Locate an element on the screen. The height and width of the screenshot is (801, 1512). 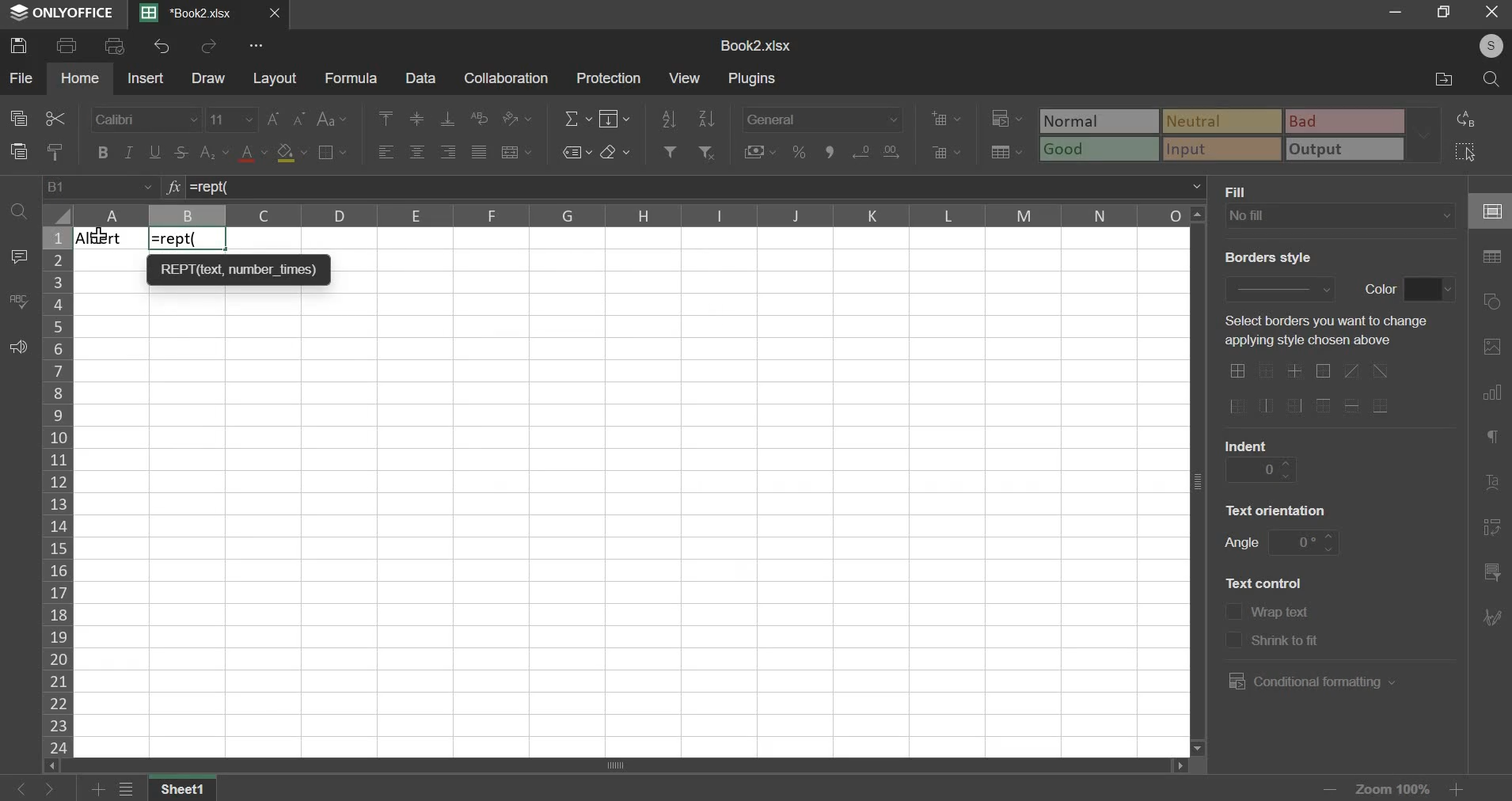
find is located at coordinates (18, 212).